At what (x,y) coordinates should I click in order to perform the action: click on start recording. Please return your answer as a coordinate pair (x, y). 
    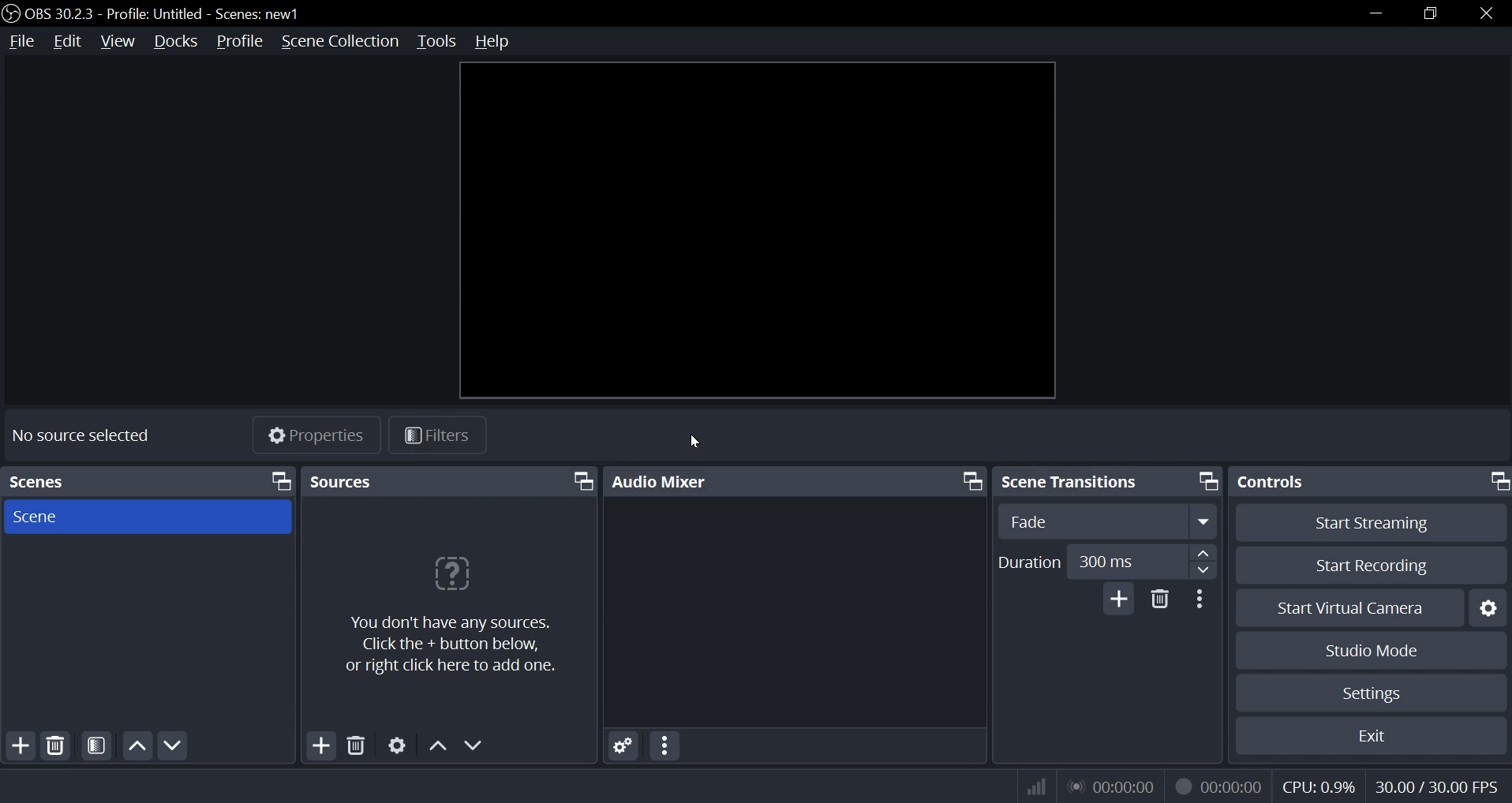
    Looking at the image, I should click on (1373, 565).